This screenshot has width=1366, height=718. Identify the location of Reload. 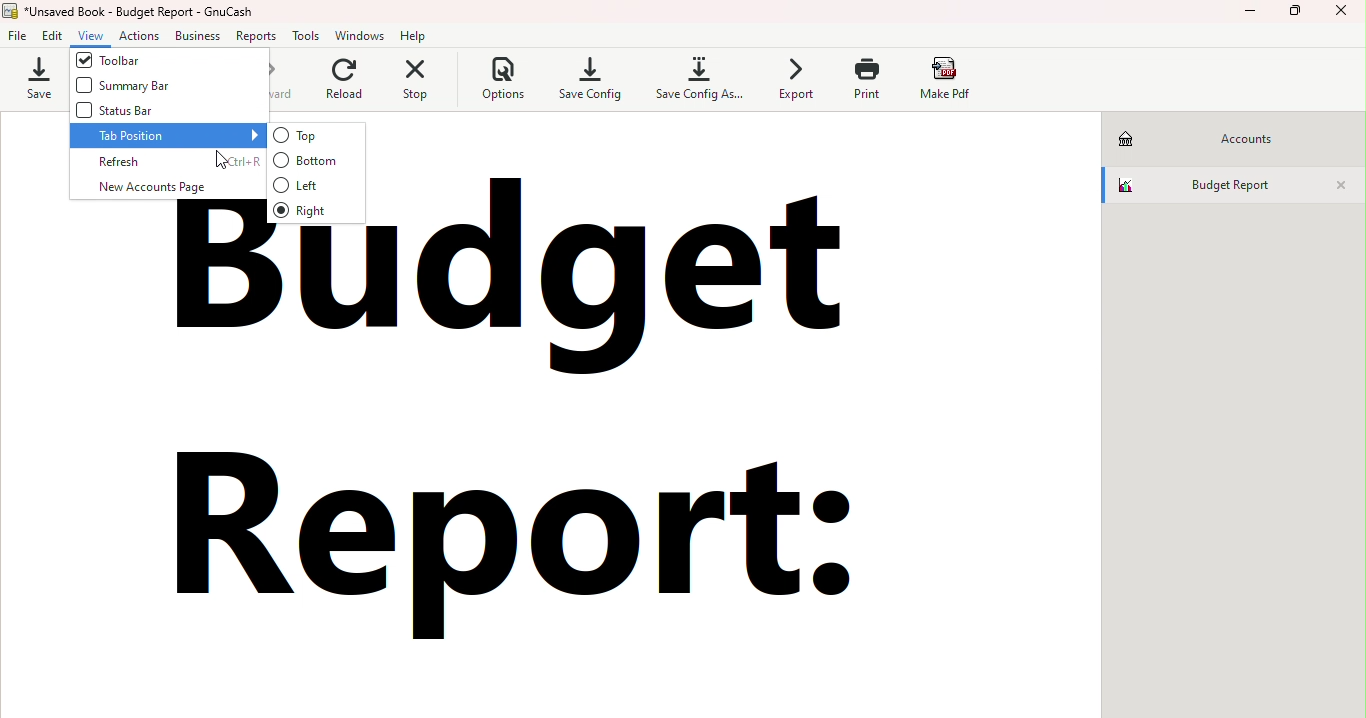
(342, 82).